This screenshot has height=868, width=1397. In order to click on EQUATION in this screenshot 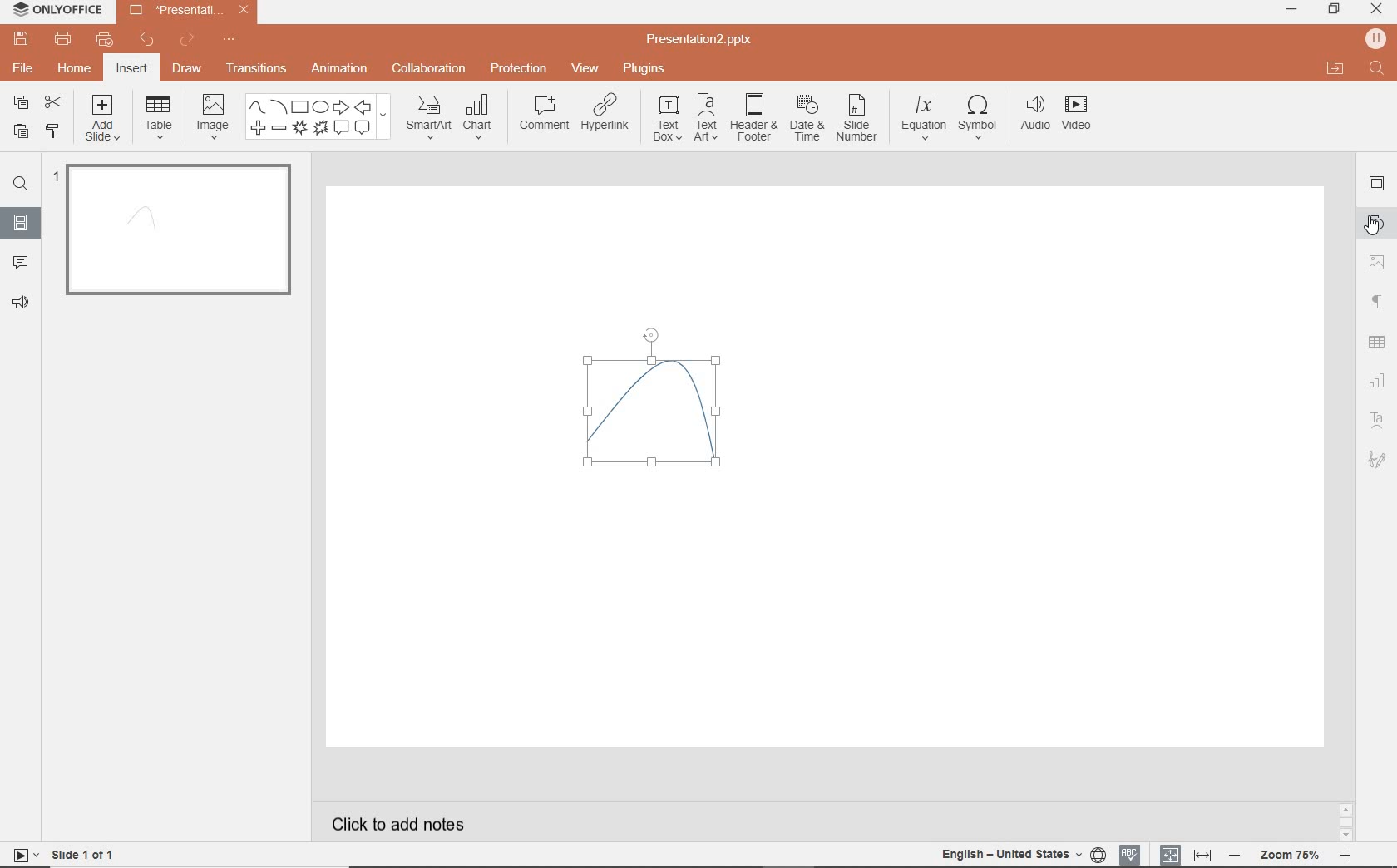, I will do `click(924, 116)`.